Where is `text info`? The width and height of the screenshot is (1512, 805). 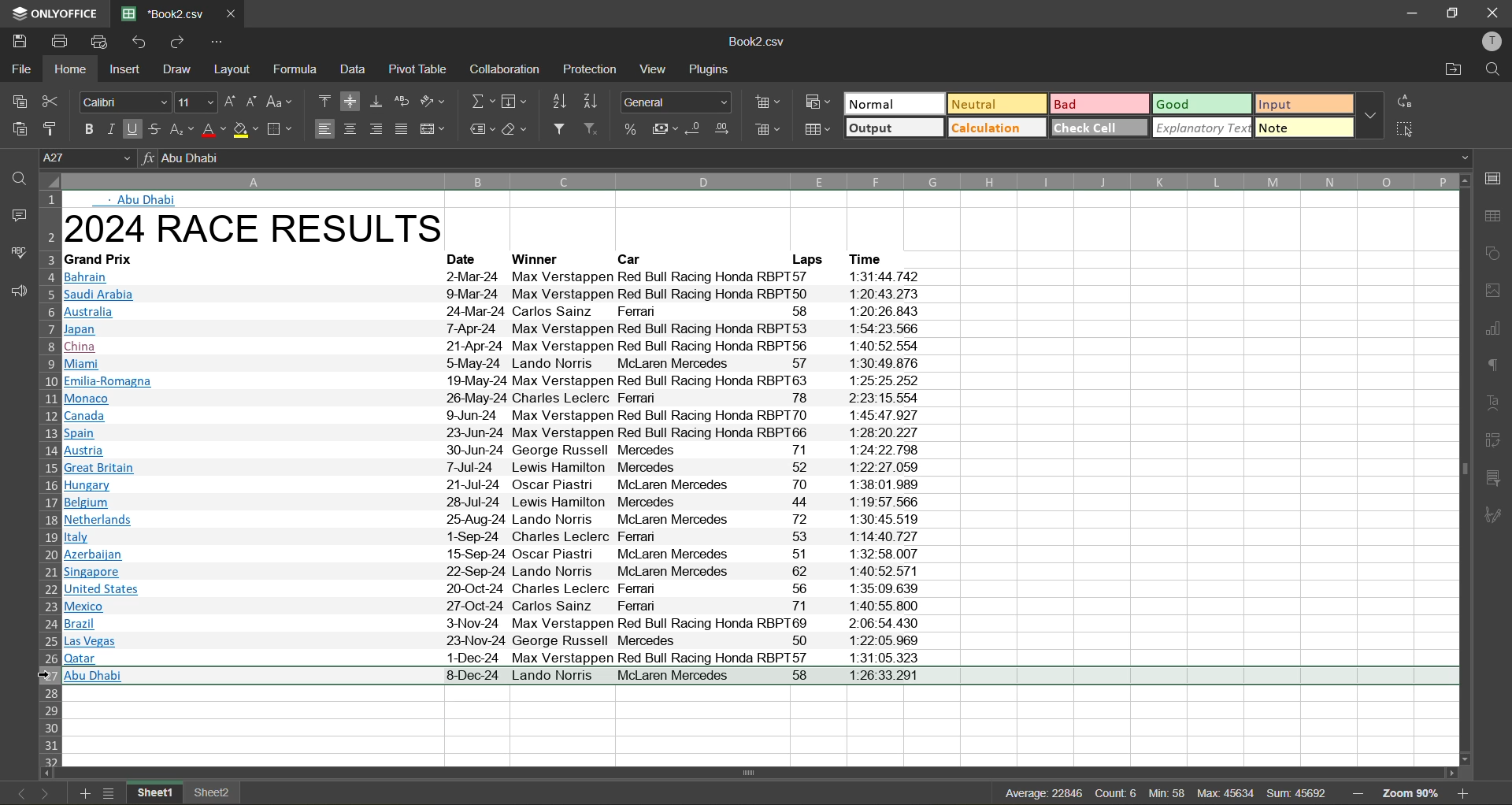 text info is located at coordinates (491, 607).